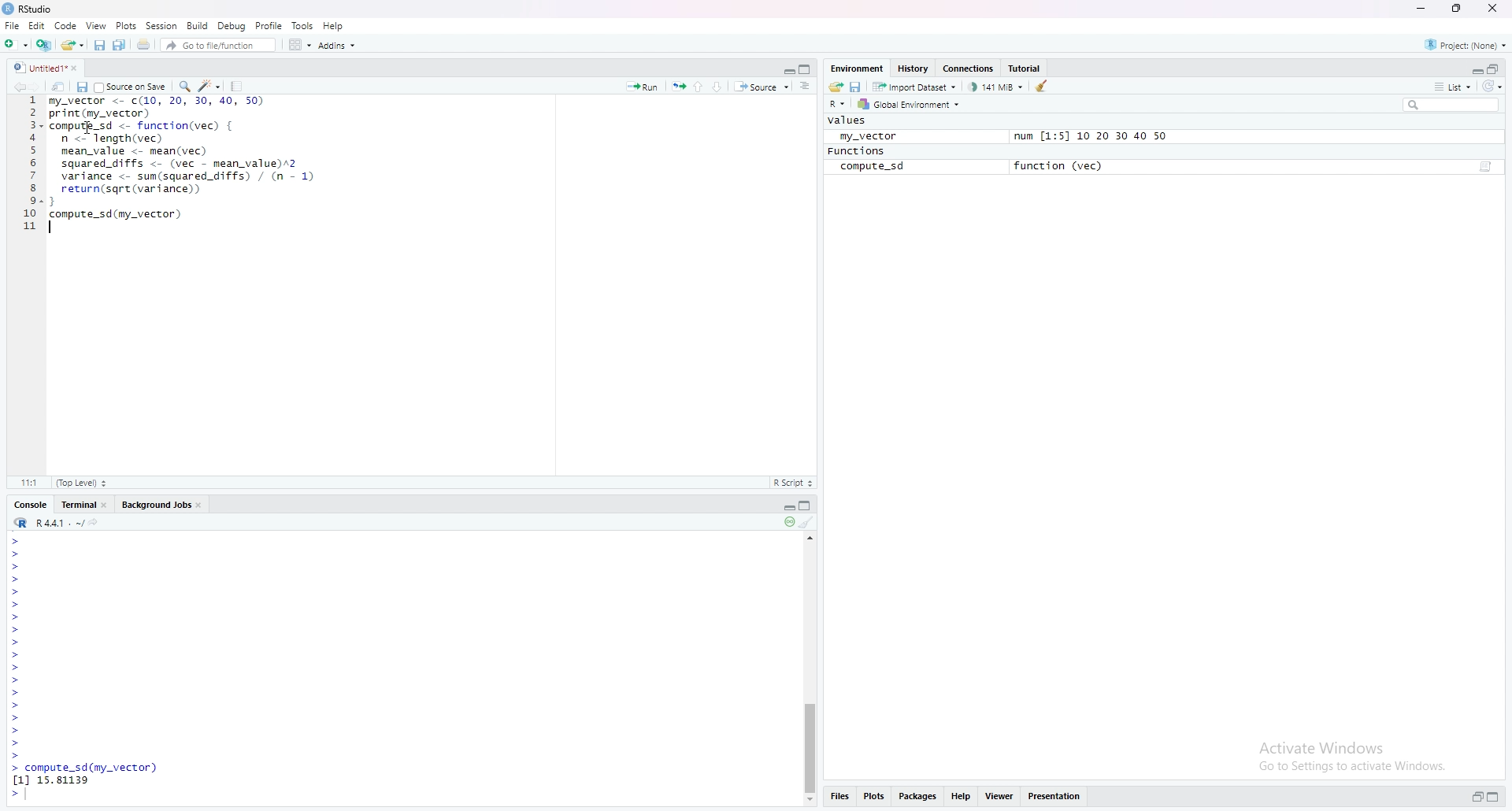  What do you see at coordinates (12, 25) in the screenshot?
I see `File` at bounding box center [12, 25].